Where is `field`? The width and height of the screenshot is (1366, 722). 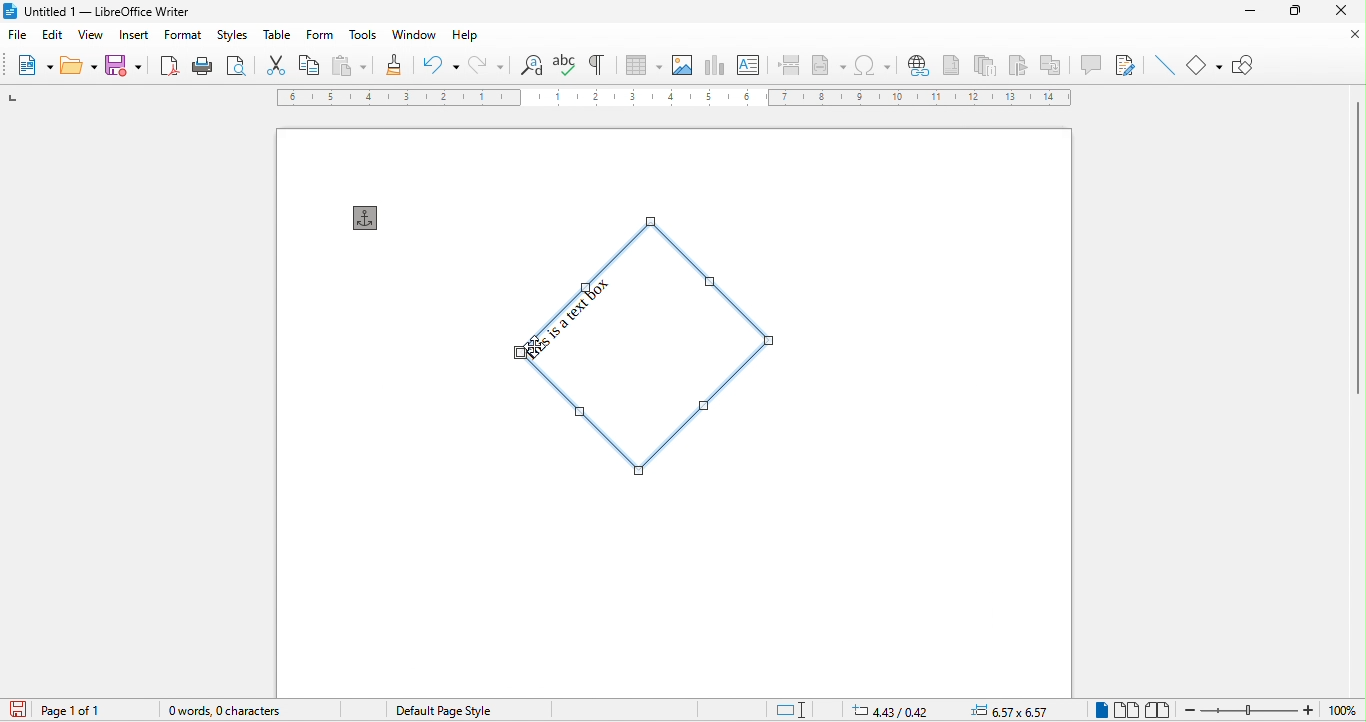 field is located at coordinates (829, 63).